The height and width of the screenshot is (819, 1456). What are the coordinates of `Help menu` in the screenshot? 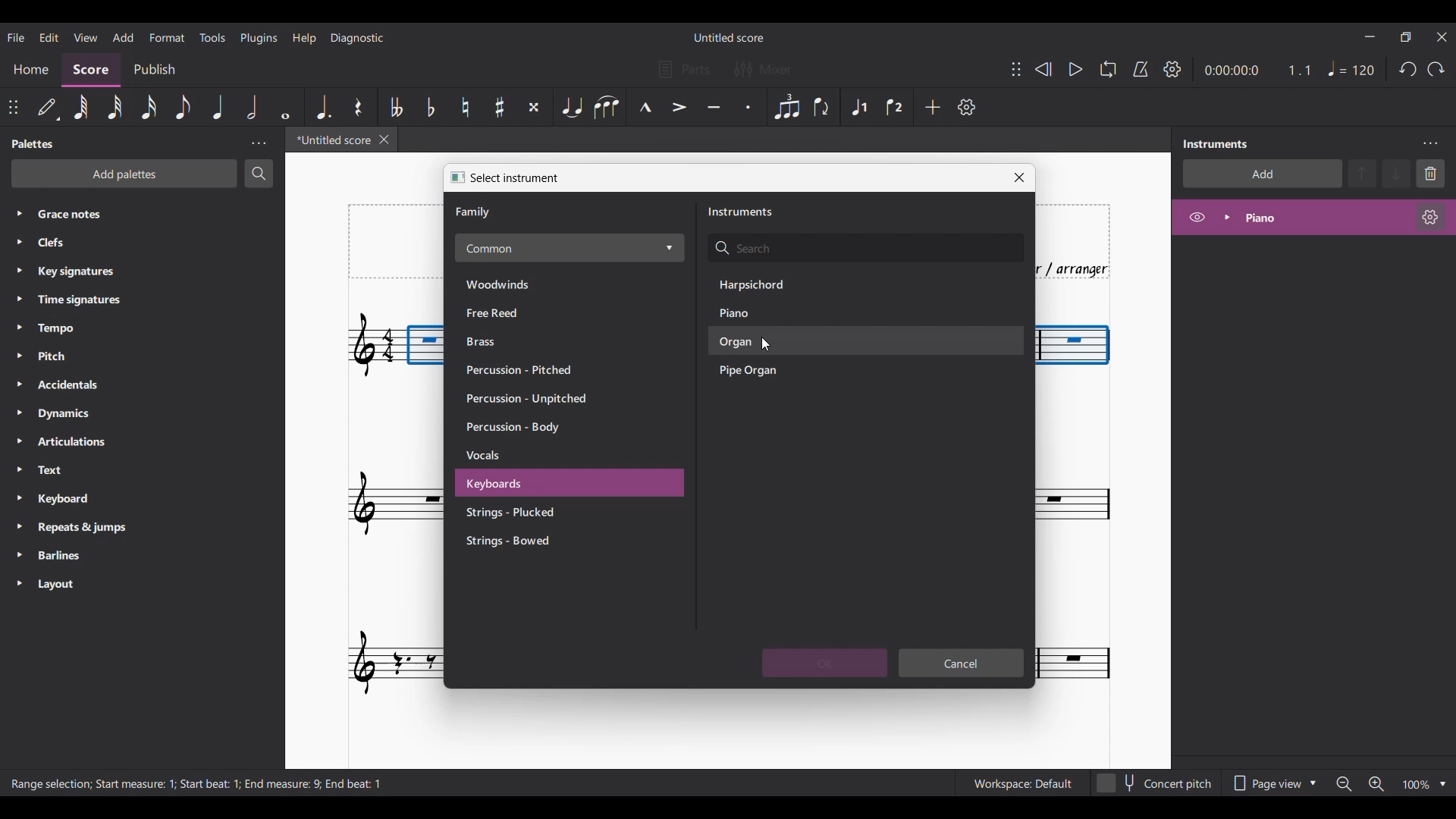 It's located at (306, 38).